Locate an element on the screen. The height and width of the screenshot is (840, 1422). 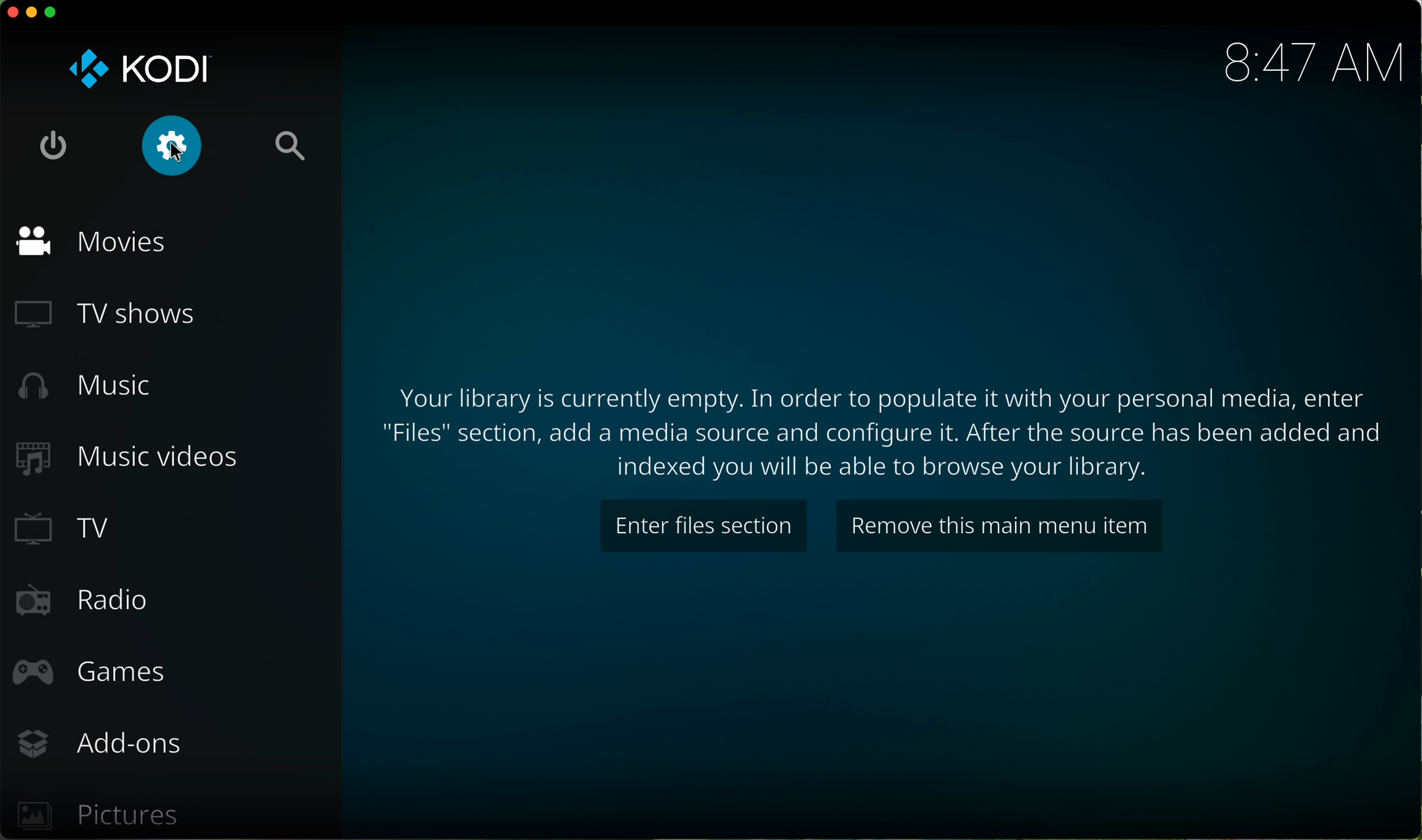
tv shows is located at coordinates (111, 313).